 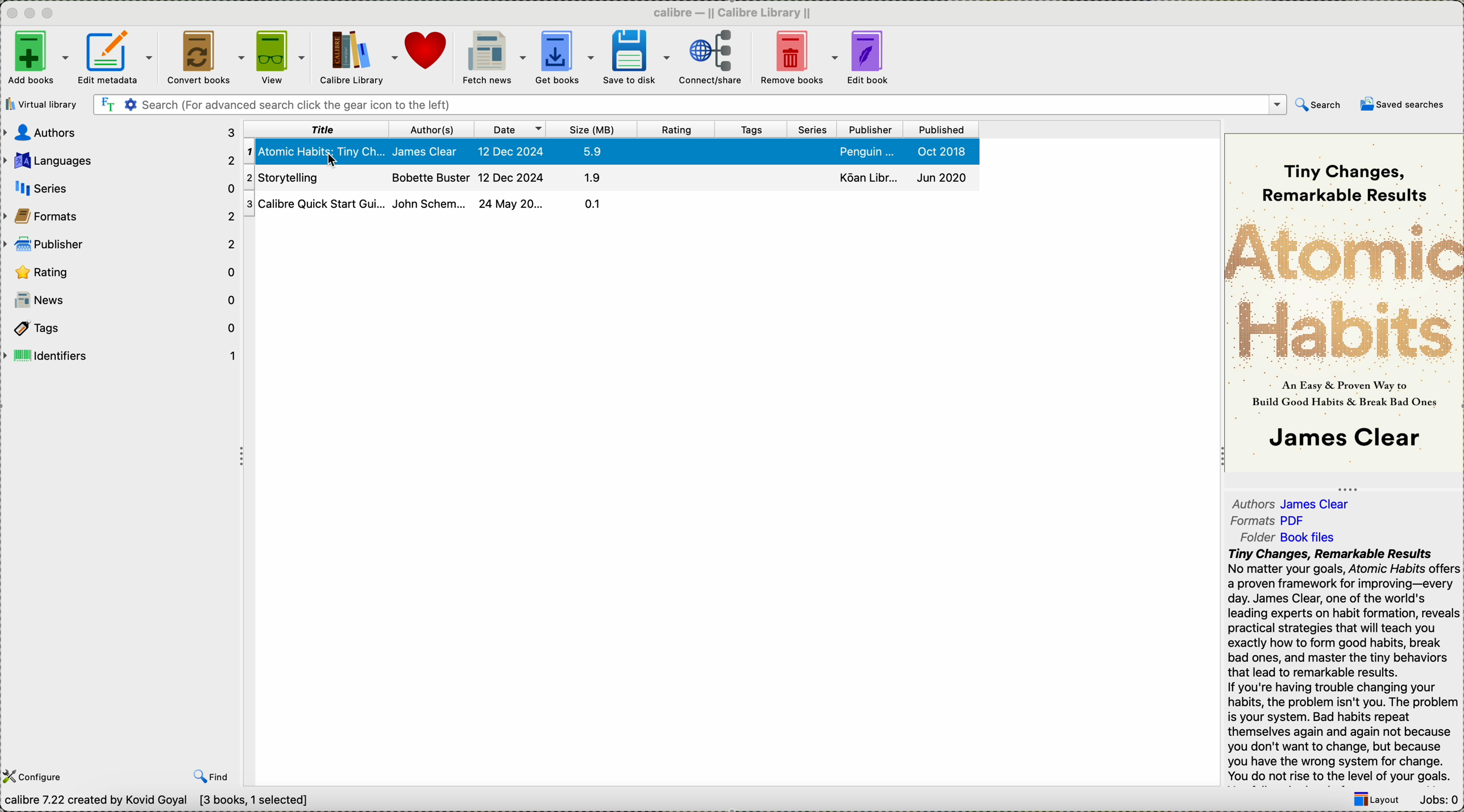 I want to click on donate, so click(x=427, y=51).